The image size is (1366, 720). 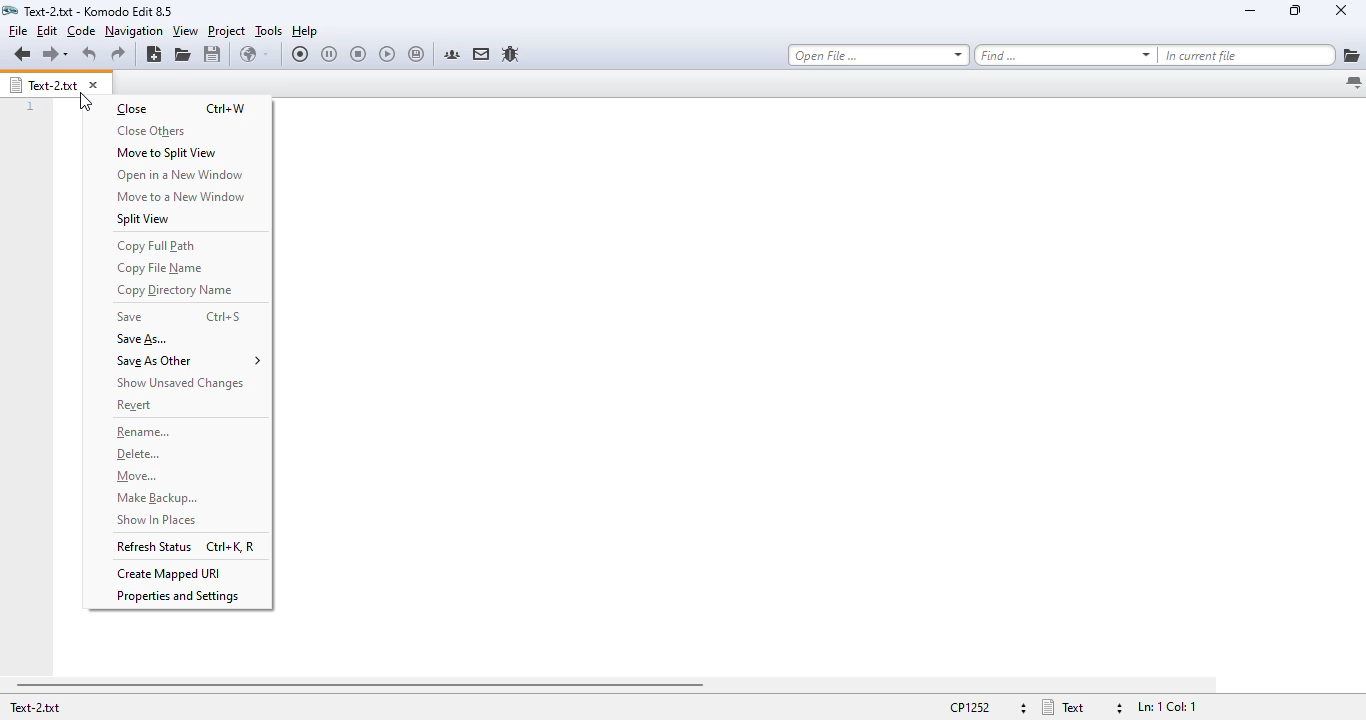 What do you see at coordinates (1352, 55) in the screenshot?
I see `browse for directories to add to search list` at bounding box center [1352, 55].